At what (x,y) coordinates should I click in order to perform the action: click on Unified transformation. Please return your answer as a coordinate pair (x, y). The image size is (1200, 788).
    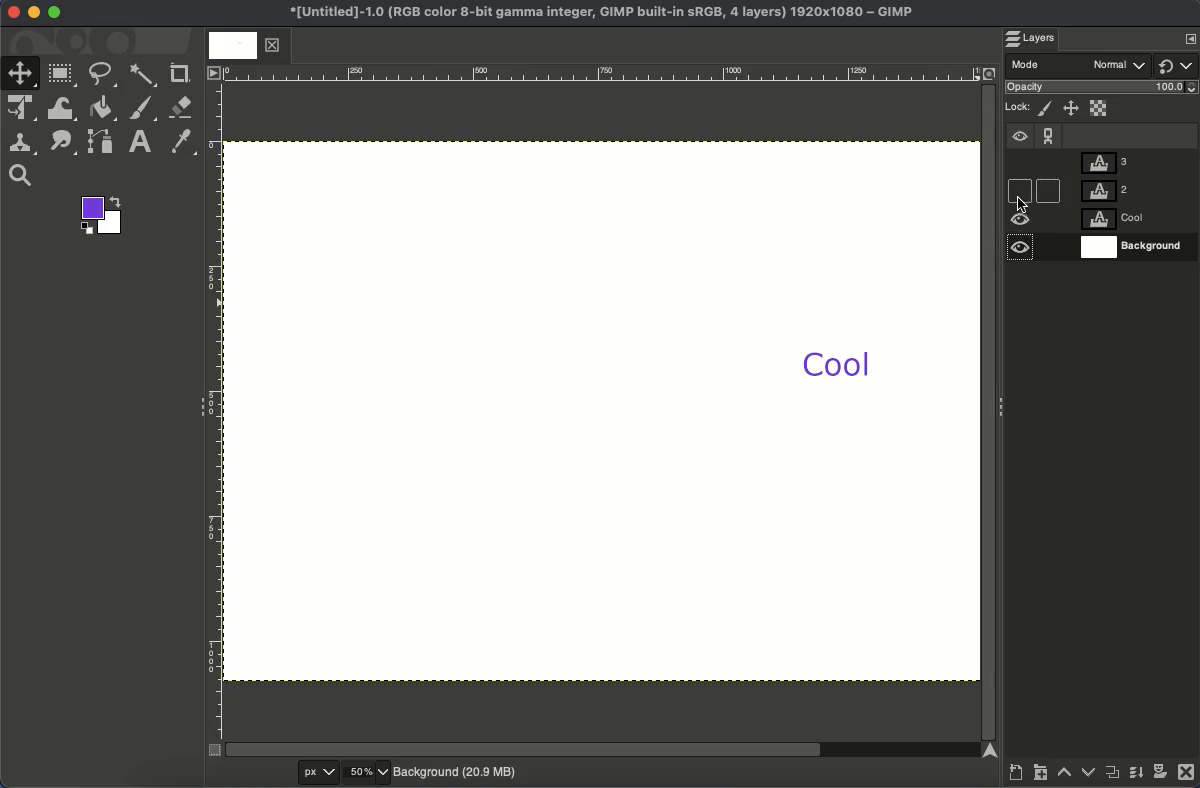
    Looking at the image, I should click on (24, 109).